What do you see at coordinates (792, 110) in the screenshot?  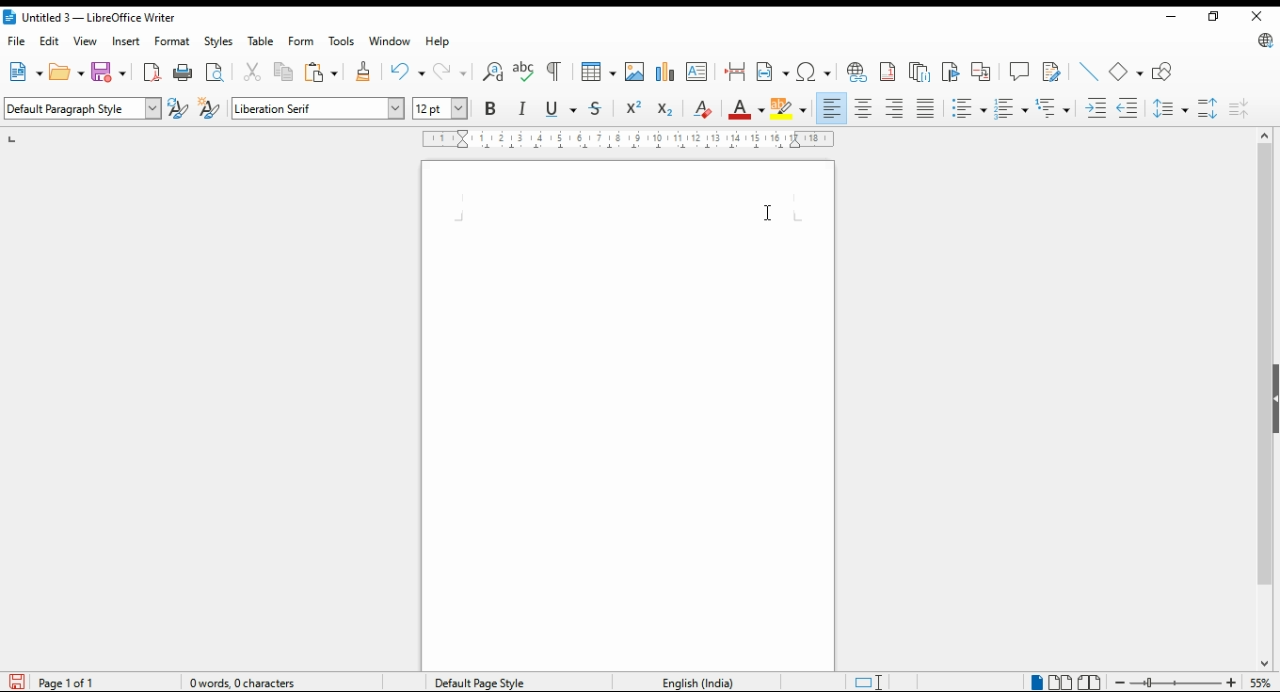 I see `highlight color` at bounding box center [792, 110].